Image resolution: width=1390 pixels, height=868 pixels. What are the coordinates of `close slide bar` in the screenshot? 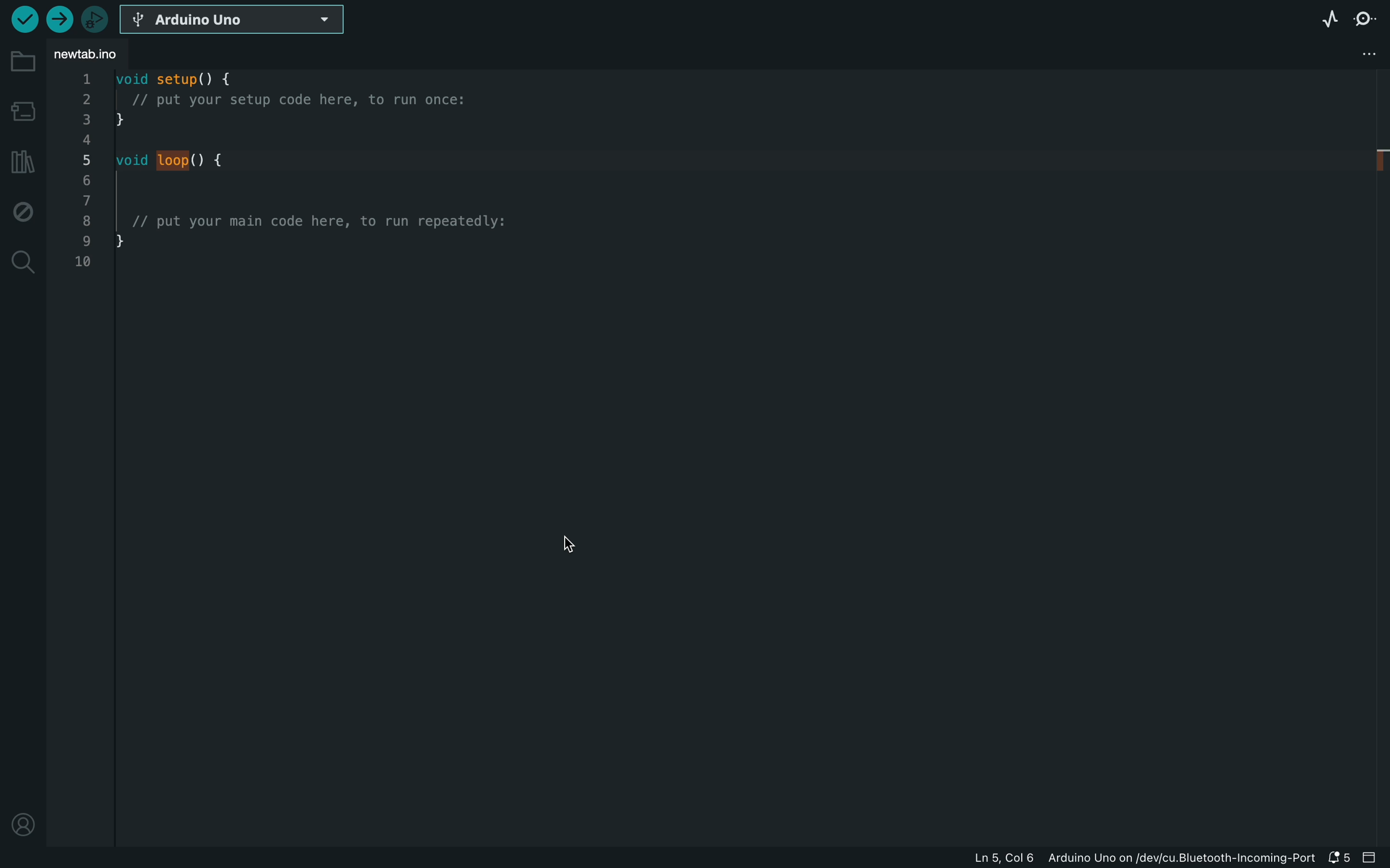 It's located at (1373, 858).